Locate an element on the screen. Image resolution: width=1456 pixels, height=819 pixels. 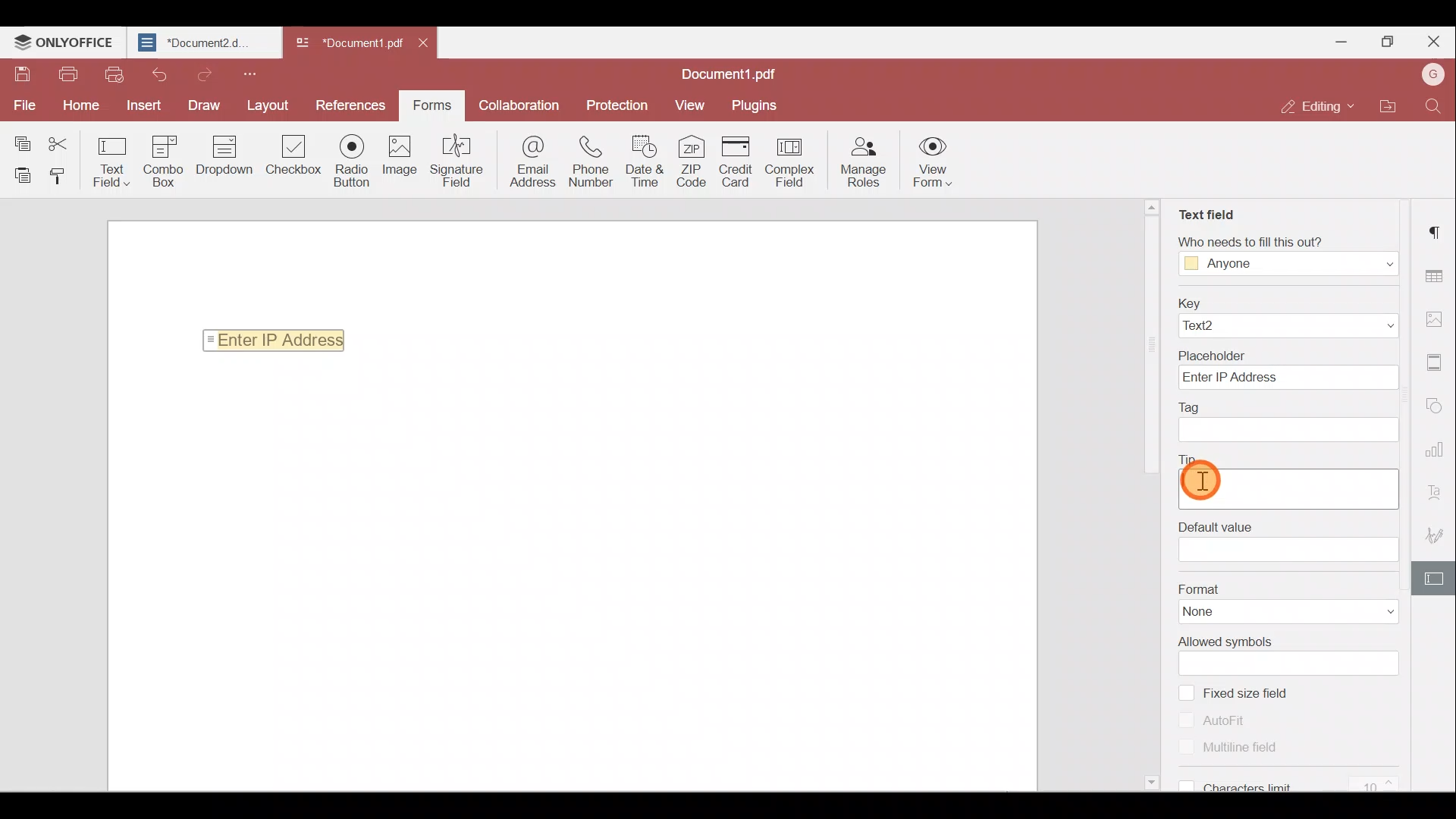
checkbox is located at coordinates (1185, 692).